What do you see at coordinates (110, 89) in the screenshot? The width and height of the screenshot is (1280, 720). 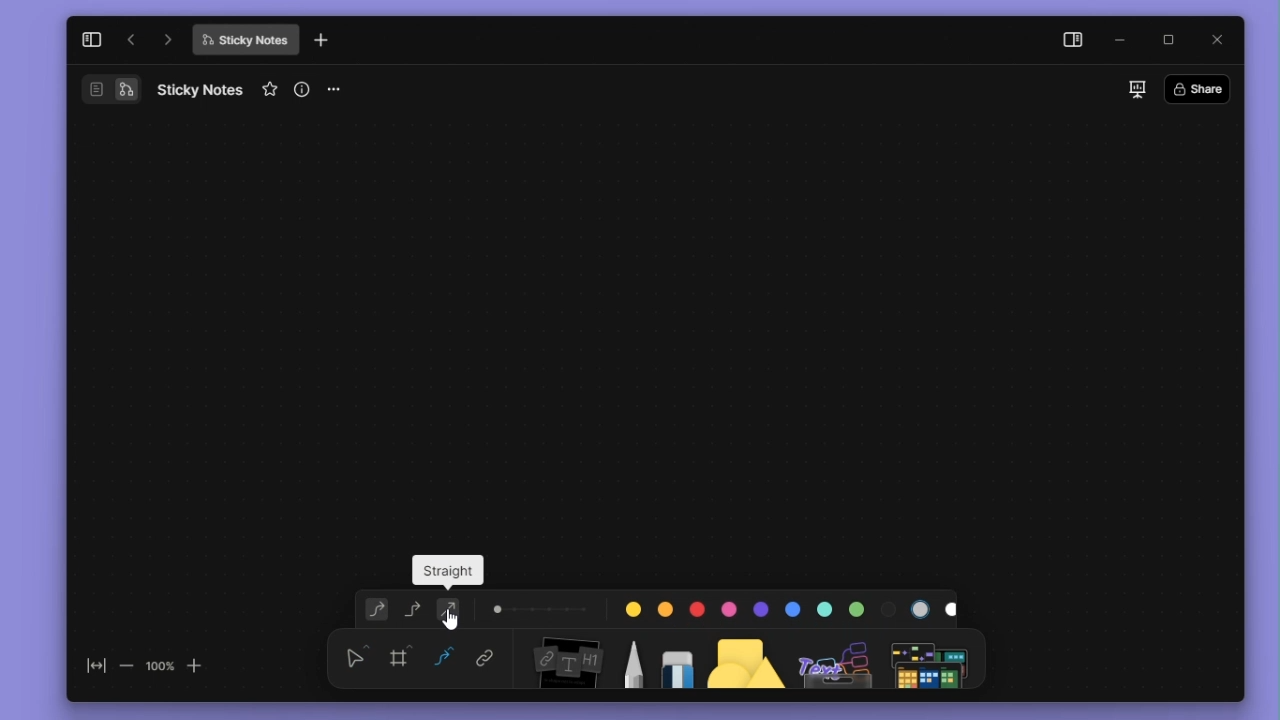 I see `switch` at bounding box center [110, 89].